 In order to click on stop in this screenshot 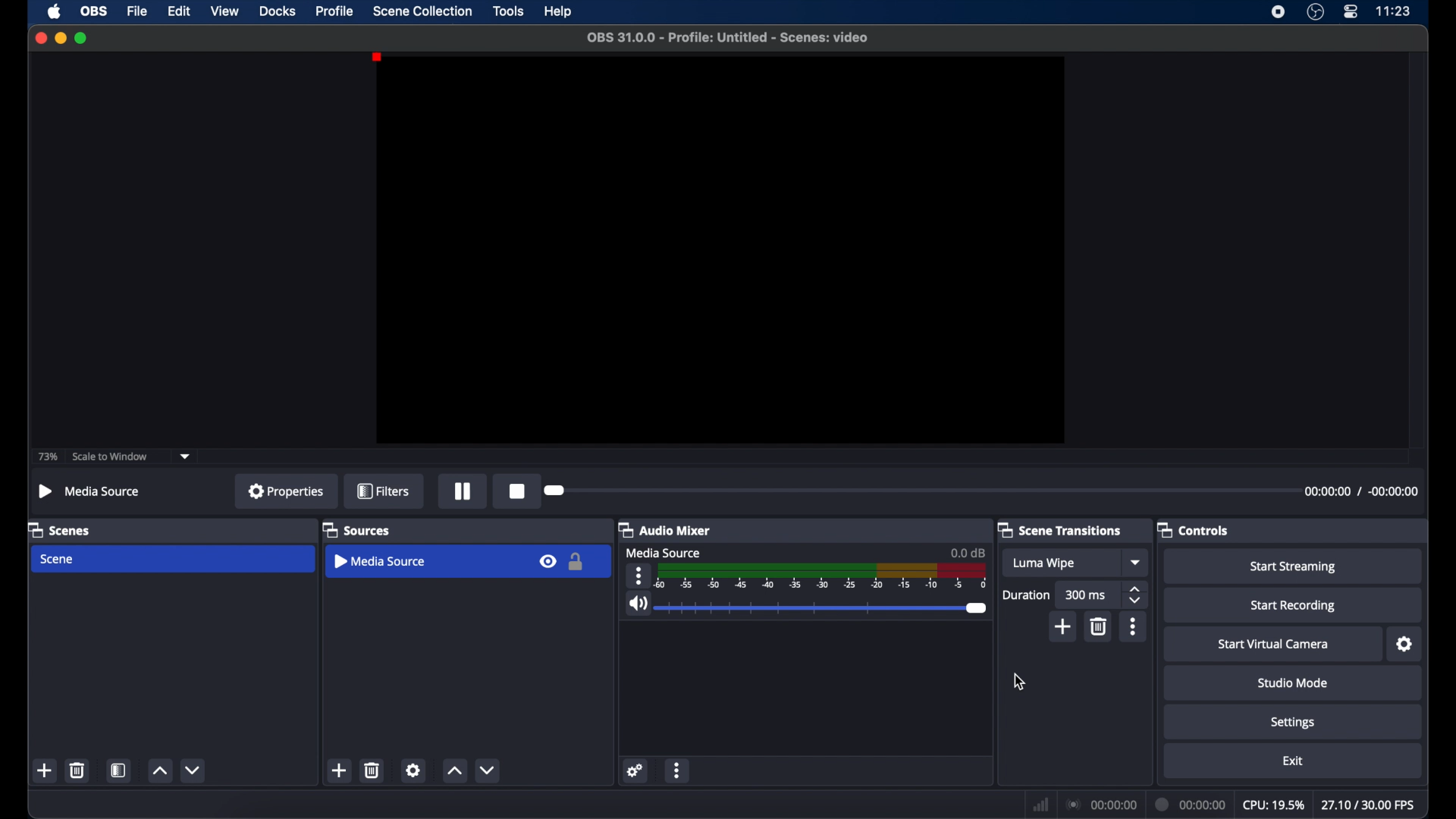, I will do `click(519, 491)`.